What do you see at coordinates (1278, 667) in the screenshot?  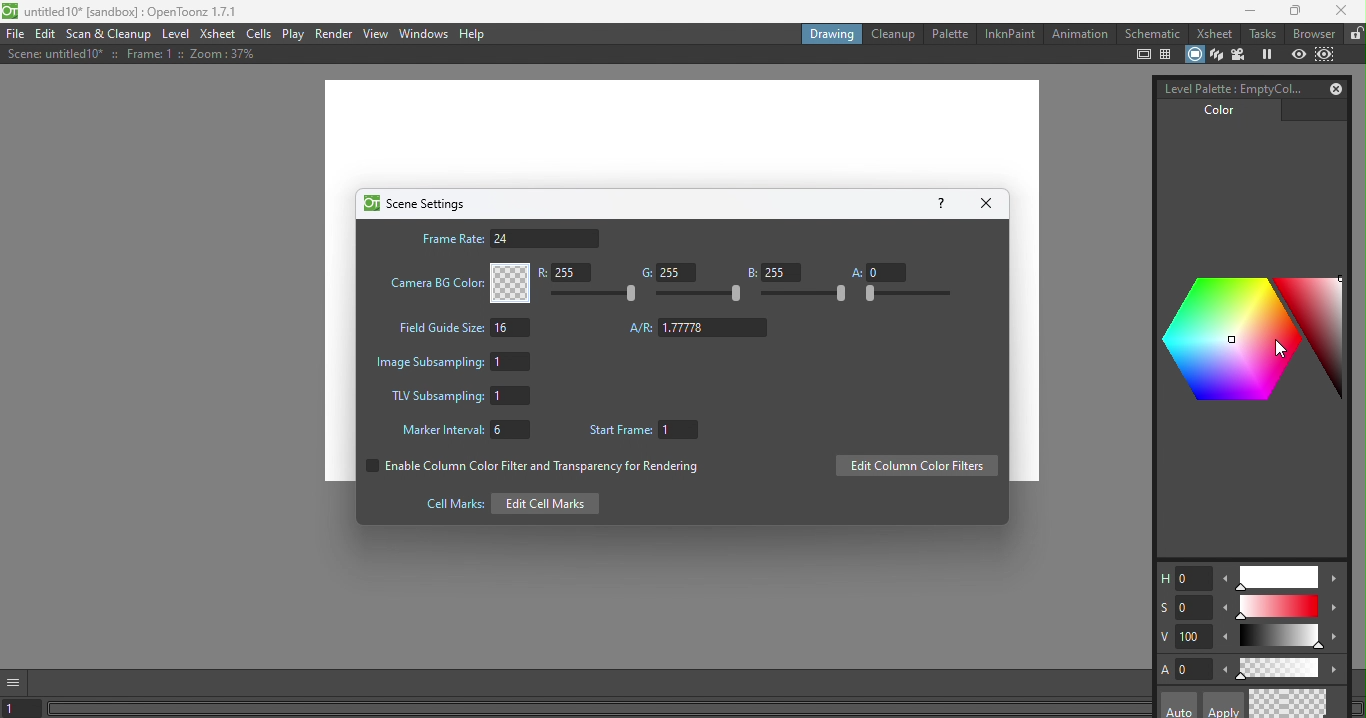 I see `Slide bar` at bounding box center [1278, 667].